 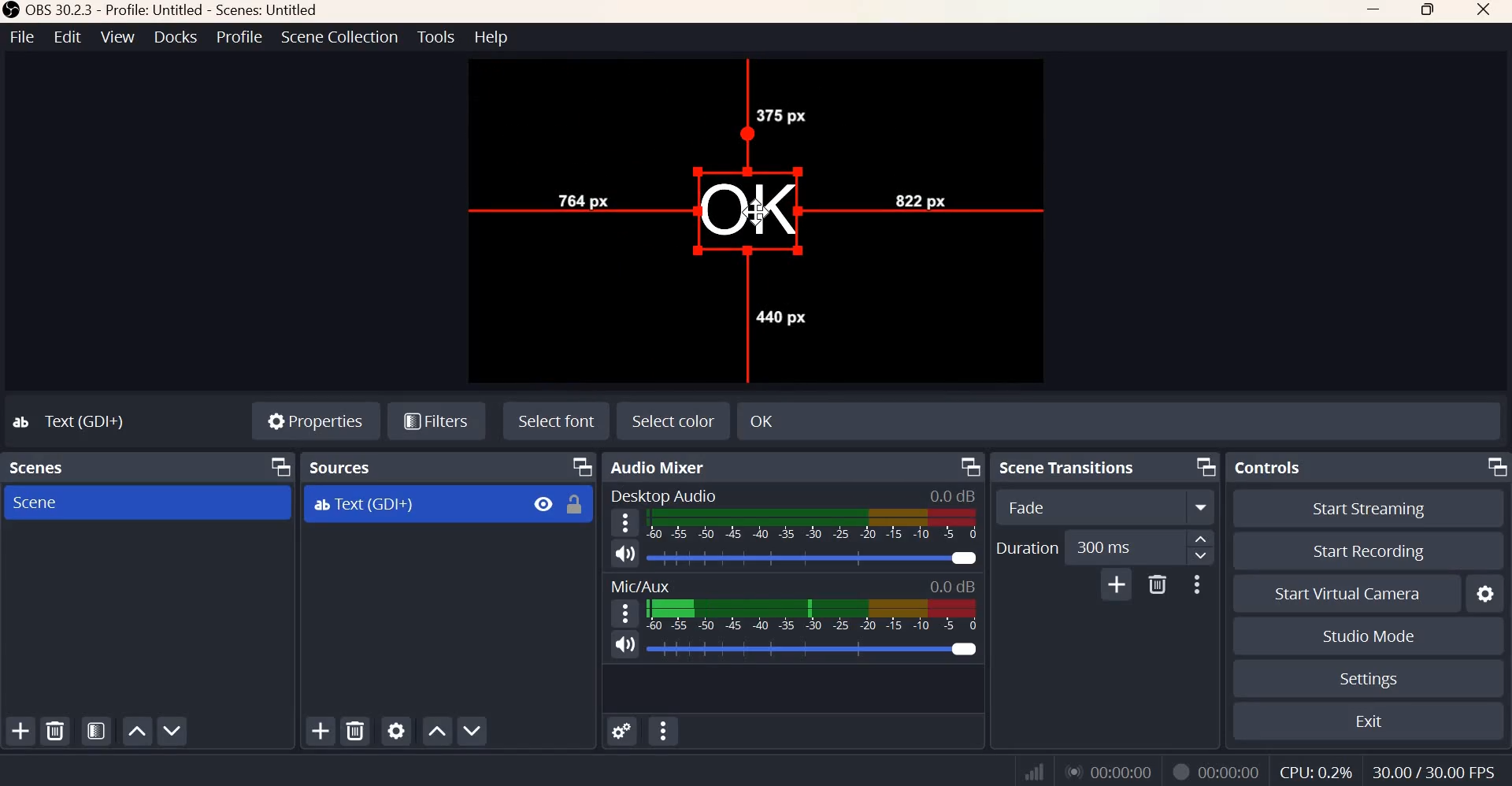 What do you see at coordinates (1201, 538) in the screenshot?
I see `increase duration` at bounding box center [1201, 538].